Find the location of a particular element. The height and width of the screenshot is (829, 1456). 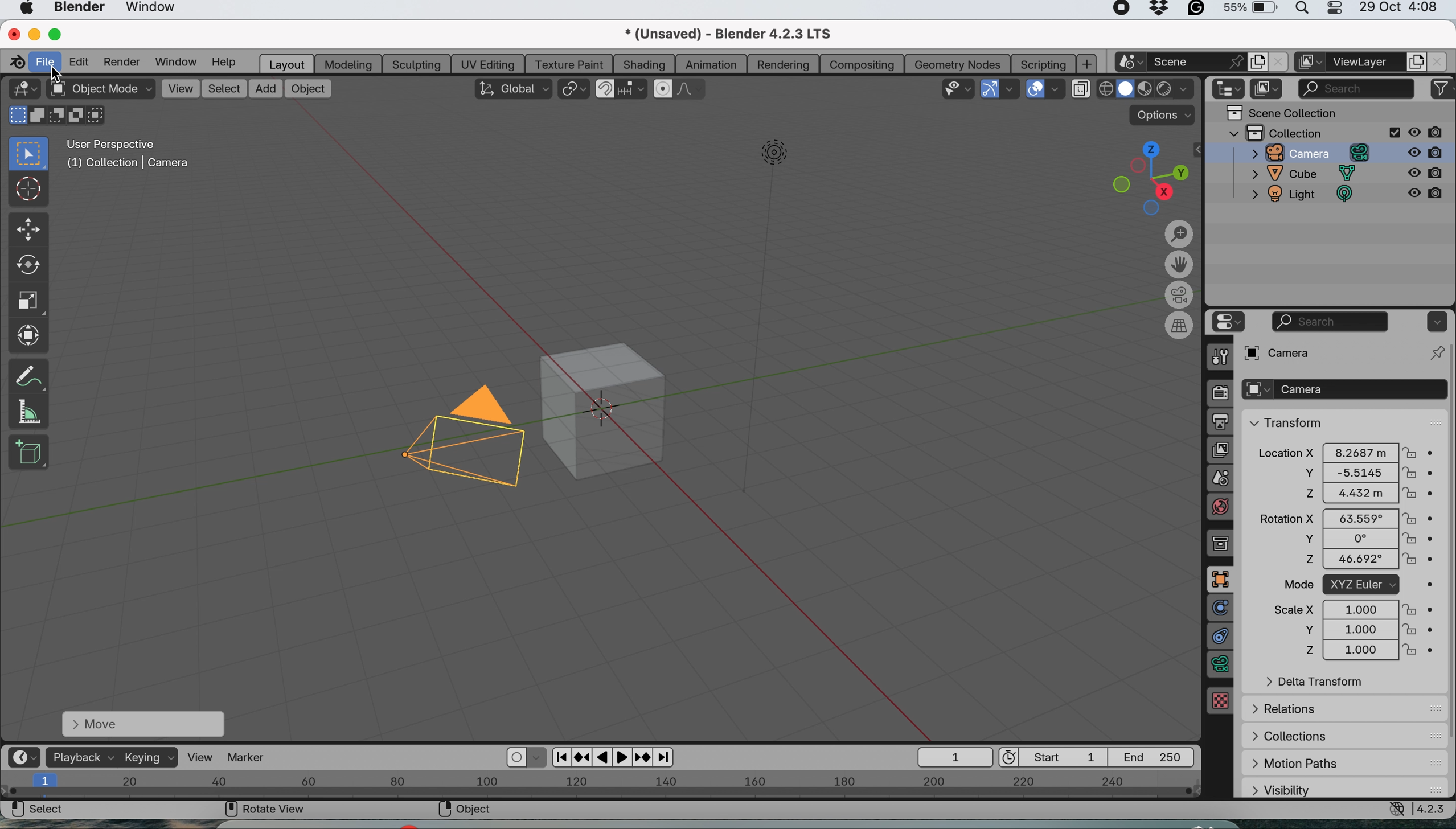

display mode is located at coordinates (1268, 89).